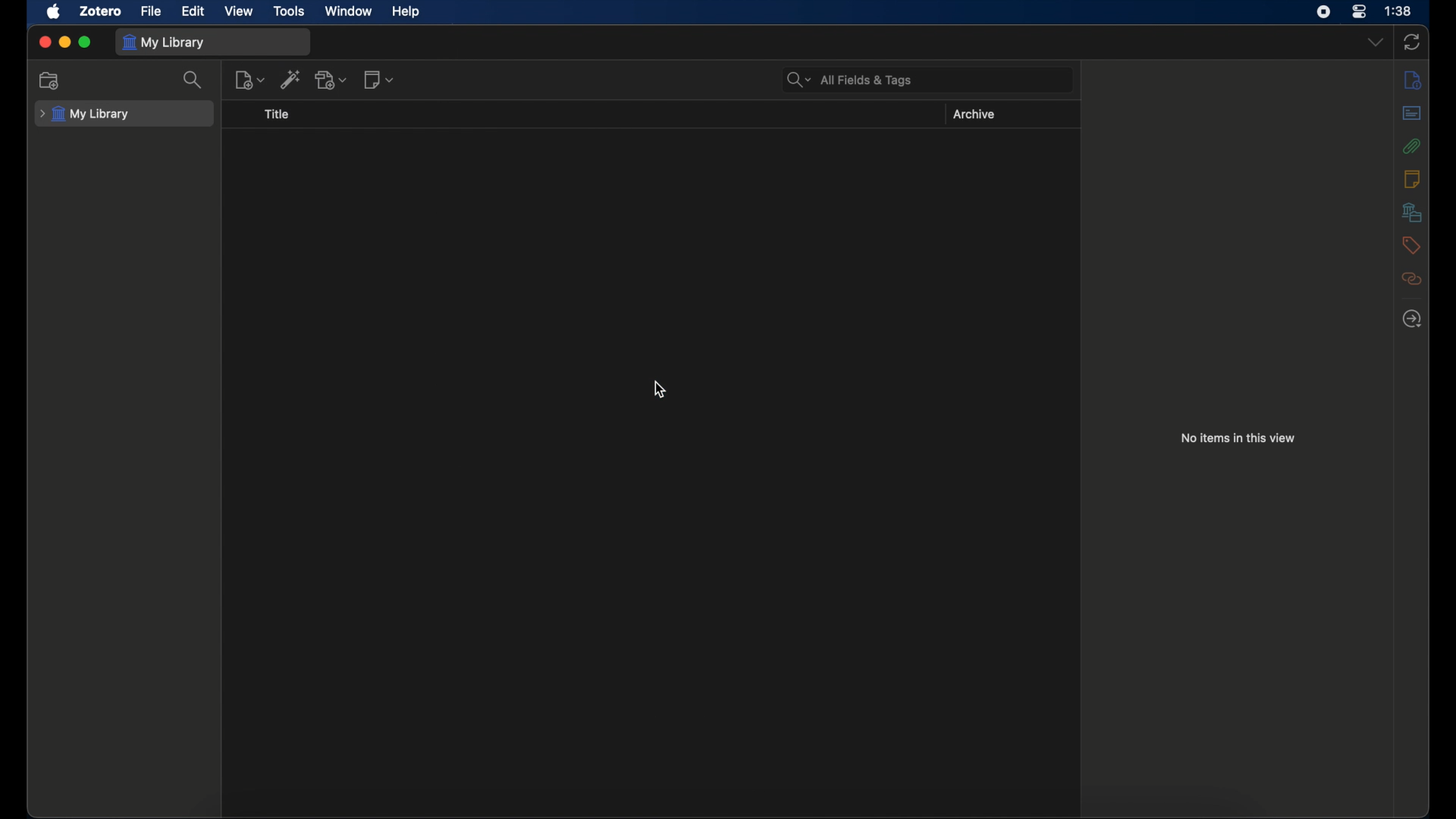 The width and height of the screenshot is (1456, 819). What do you see at coordinates (334, 80) in the screenshot?
I see `add attachments` at bounding box center [334, 80].